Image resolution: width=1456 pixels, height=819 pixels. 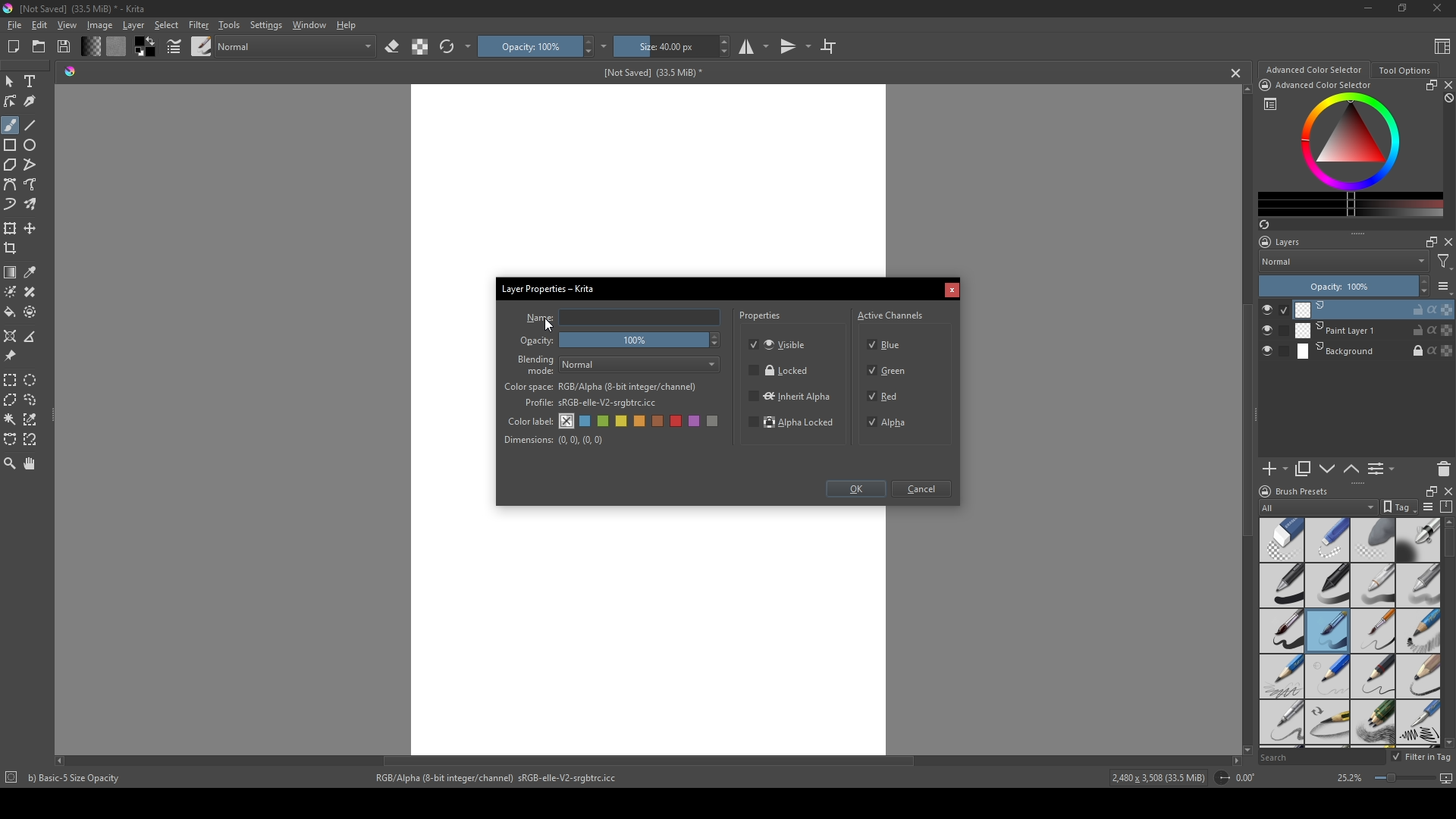 What do you see at coordinates (11, 379) in the screenshot?
I see `rectangular` at bounding box center [11, 379].